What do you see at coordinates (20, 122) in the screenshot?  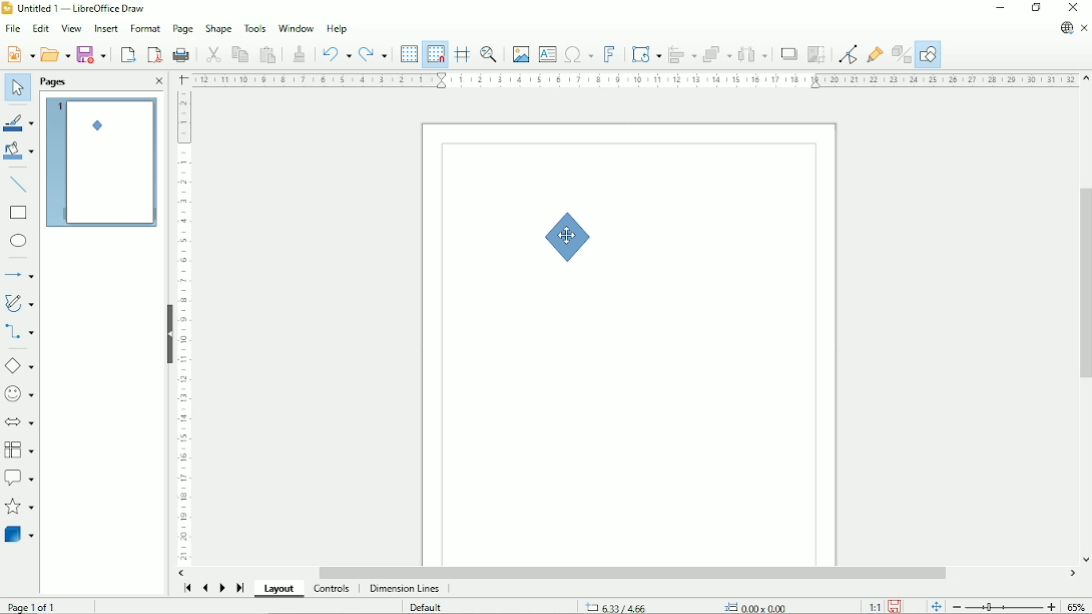 I see `Line color` at bounding box center [20, 122].